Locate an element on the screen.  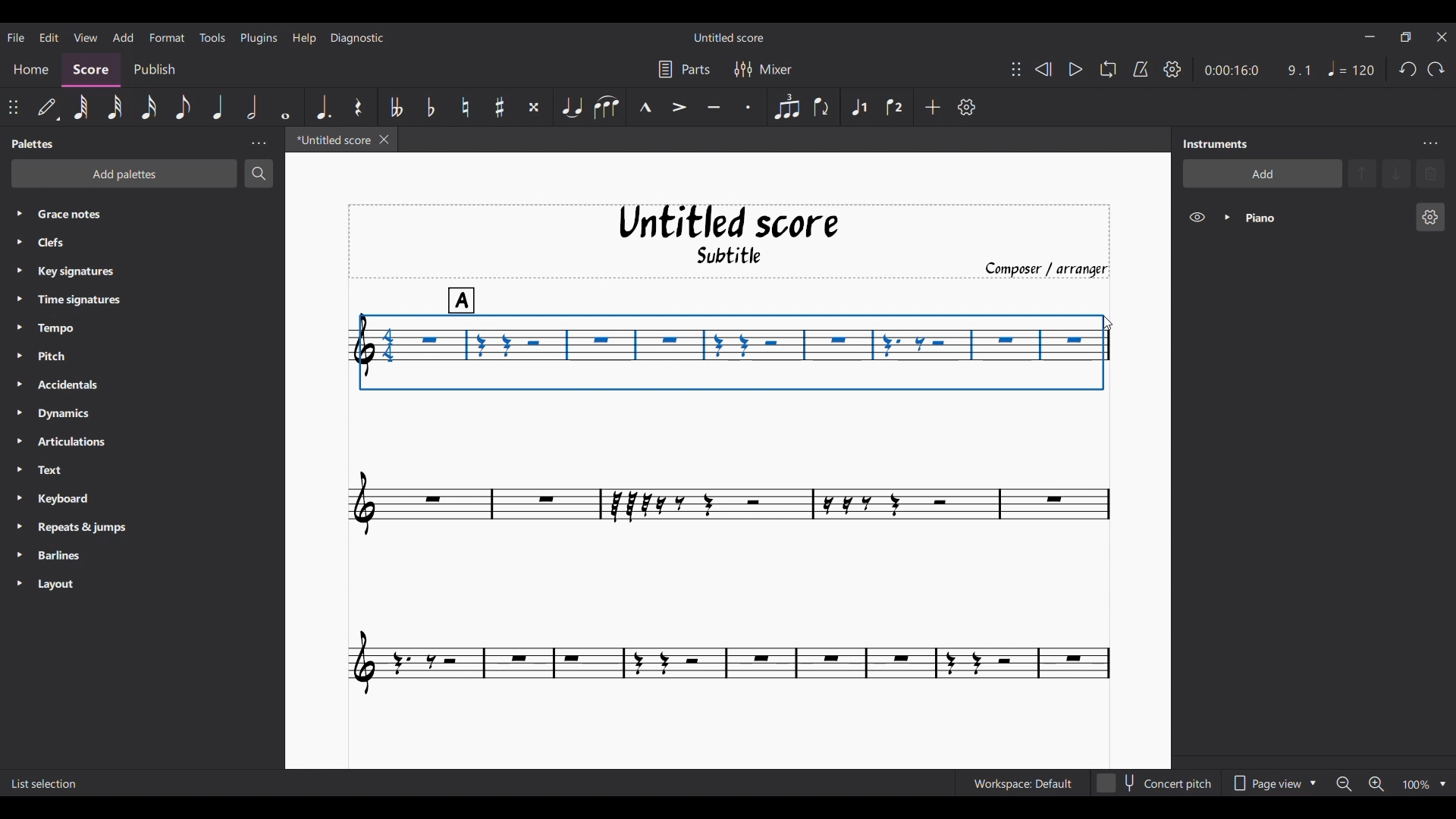
Panel settings is located at coordinates (259, 143).